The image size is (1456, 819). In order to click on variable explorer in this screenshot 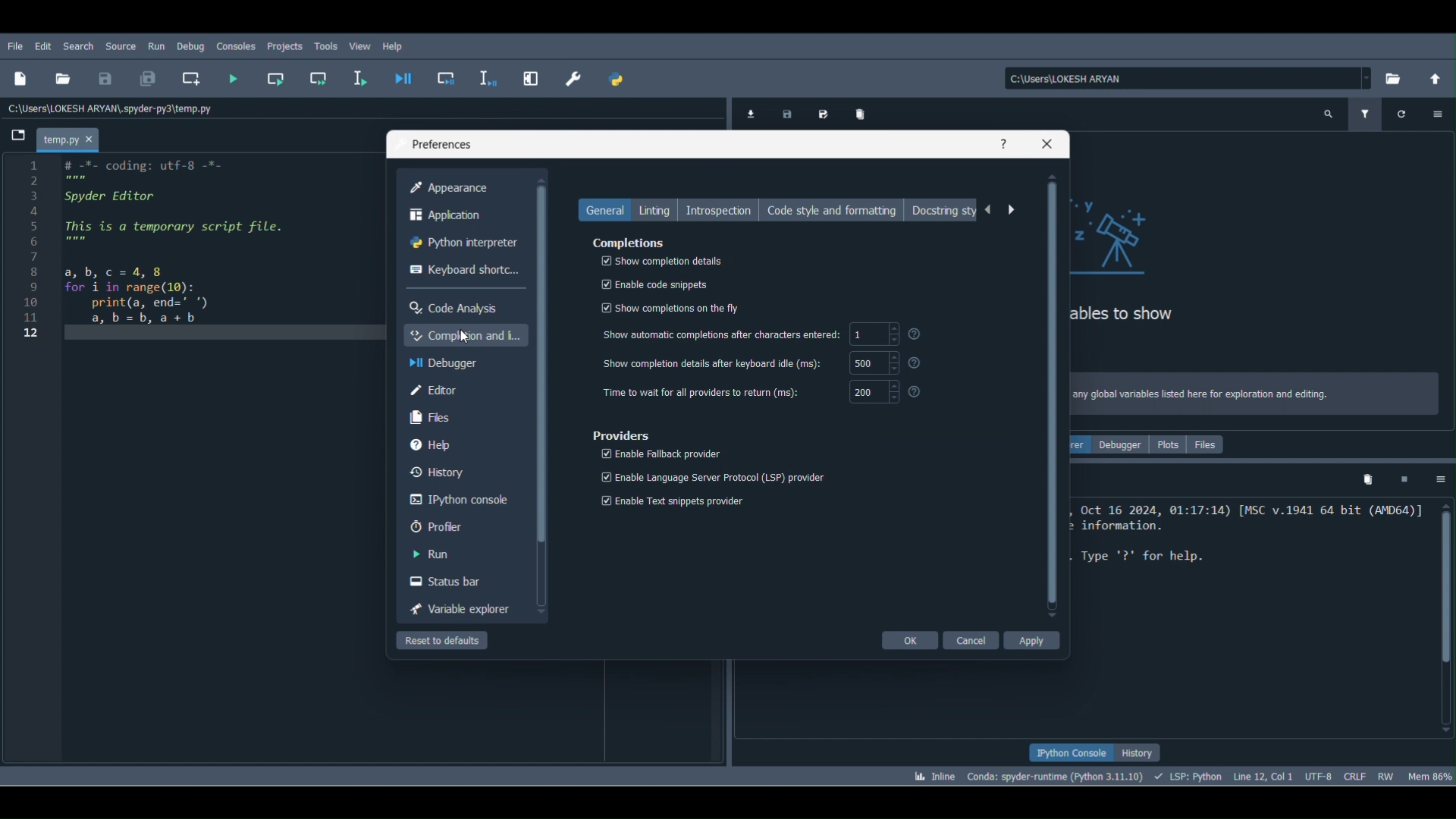, I will do `click(460, 610)`.